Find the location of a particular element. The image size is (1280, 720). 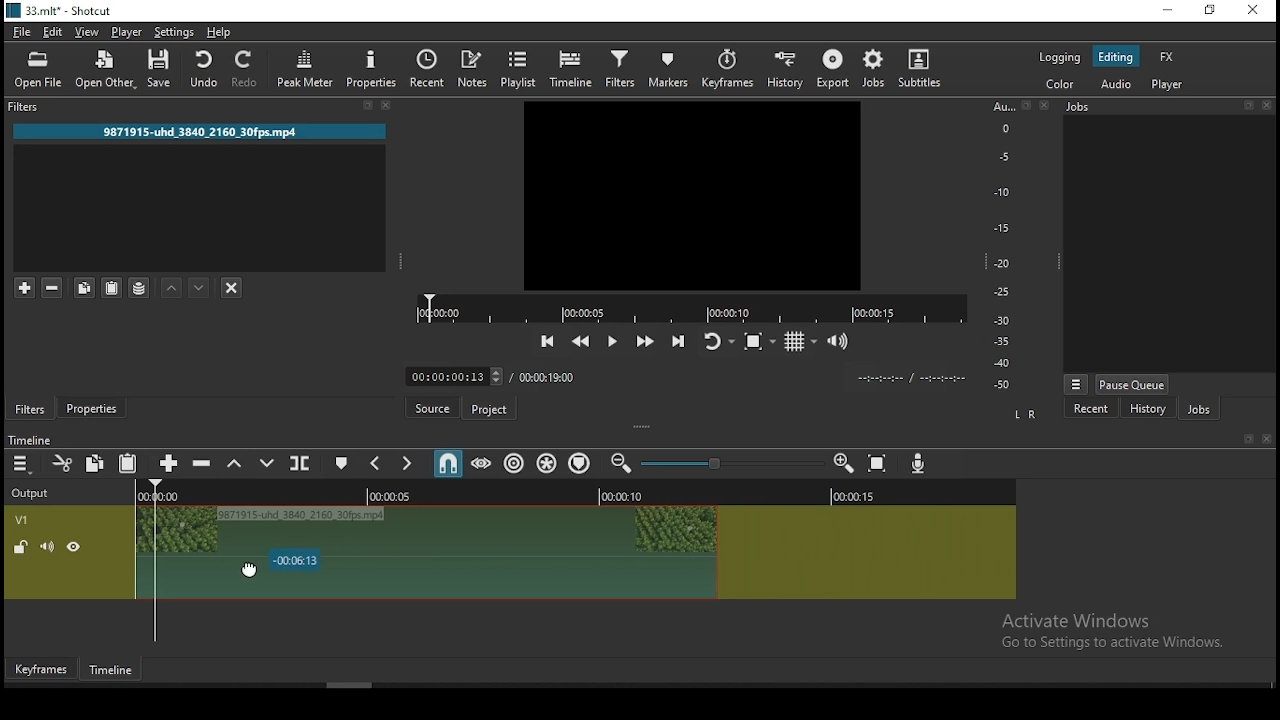

filters is located at coordinates (619, 70).